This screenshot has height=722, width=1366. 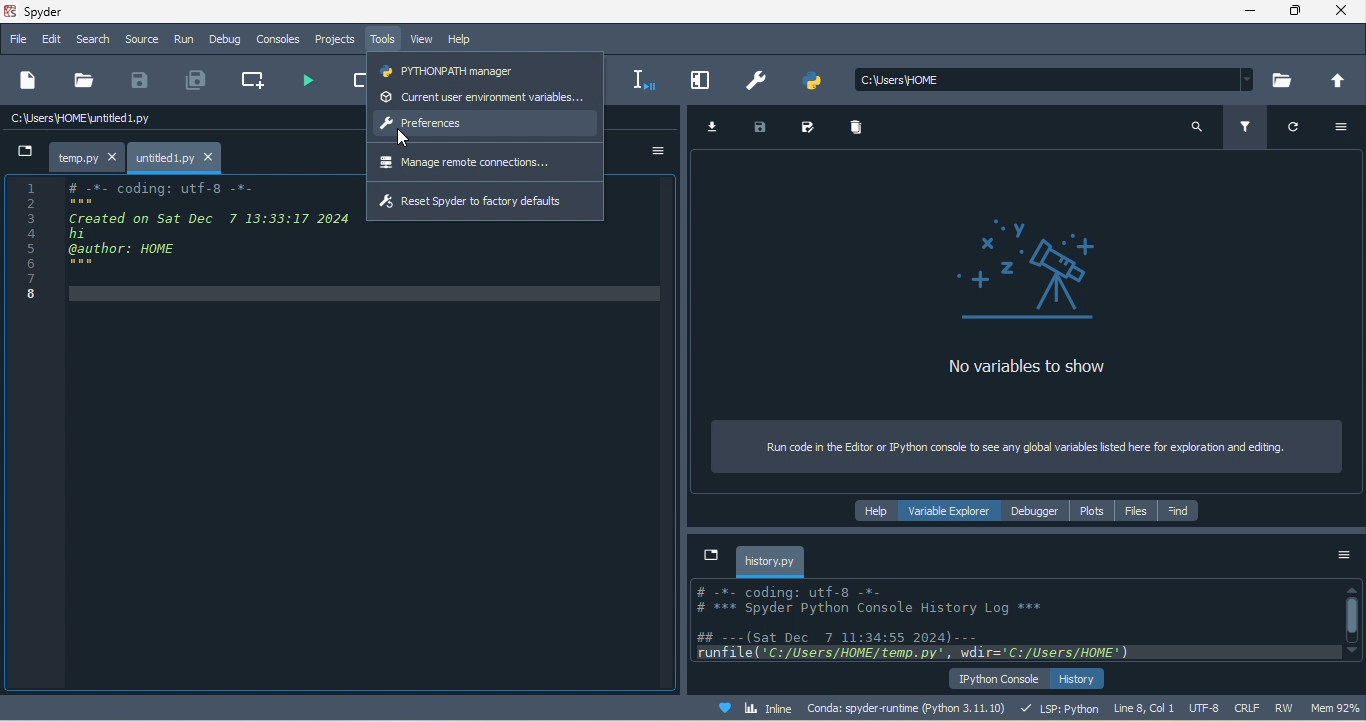 I want to click on pythonpath manager, so click(x=483, y=71).